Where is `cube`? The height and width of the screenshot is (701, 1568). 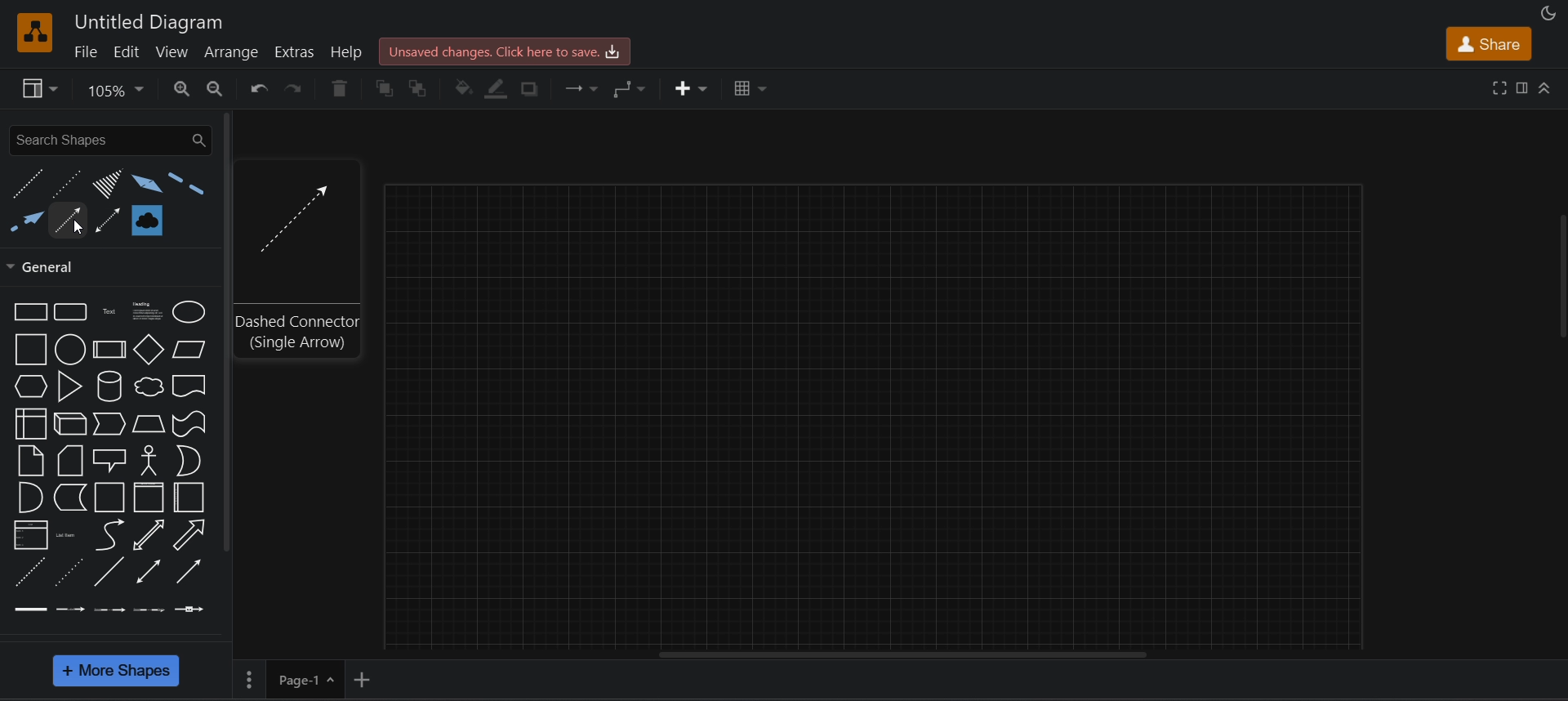
cube is located at coordinates (70, 423).